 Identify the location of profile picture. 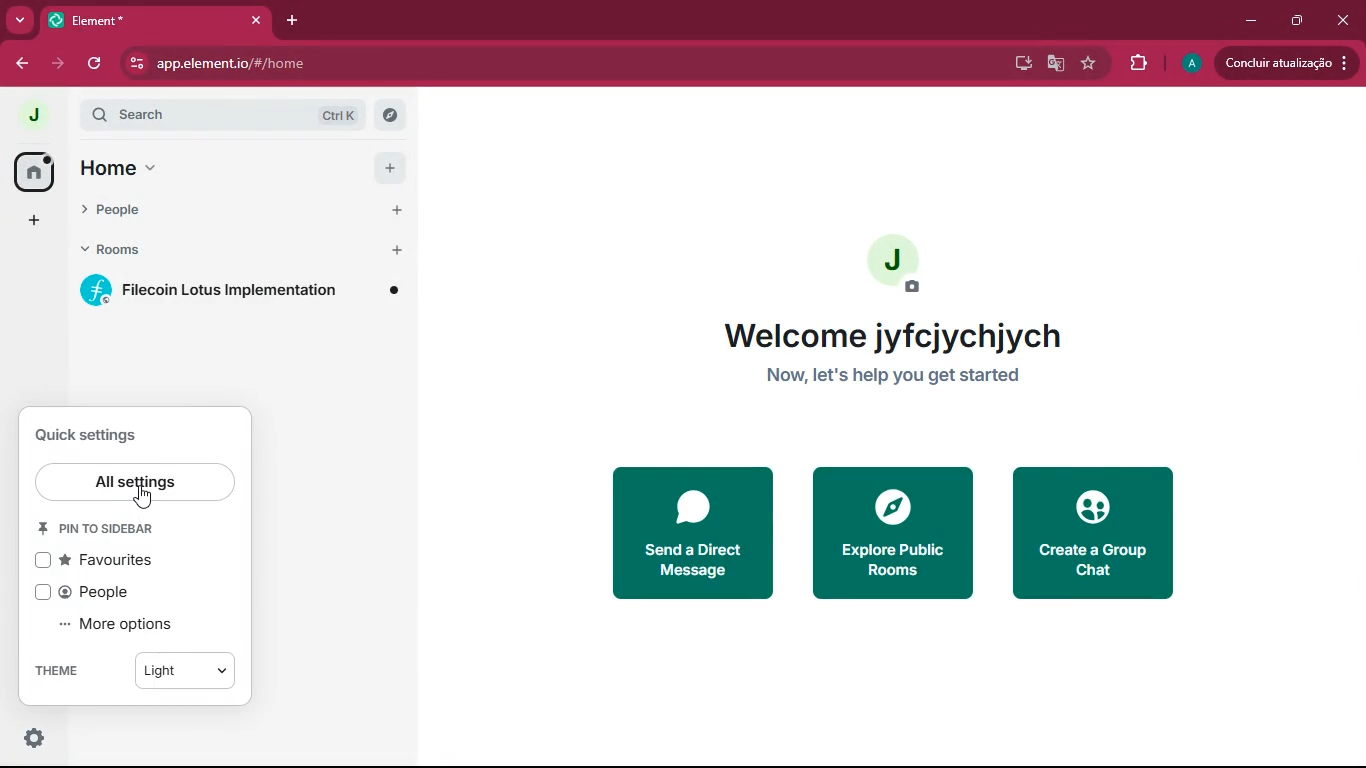
(33, 115).